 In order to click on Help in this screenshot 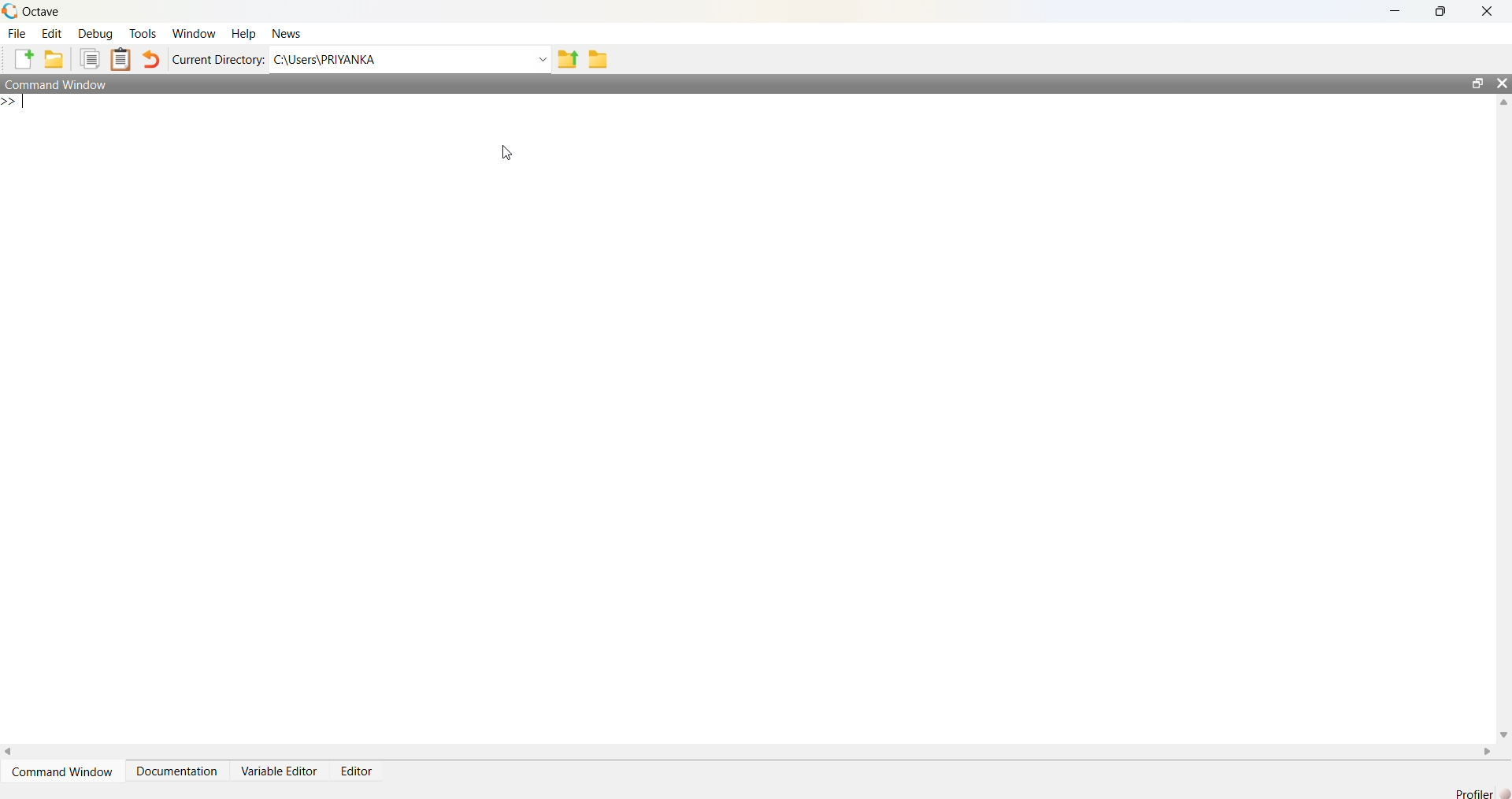, I will do `click(246, 34)`.